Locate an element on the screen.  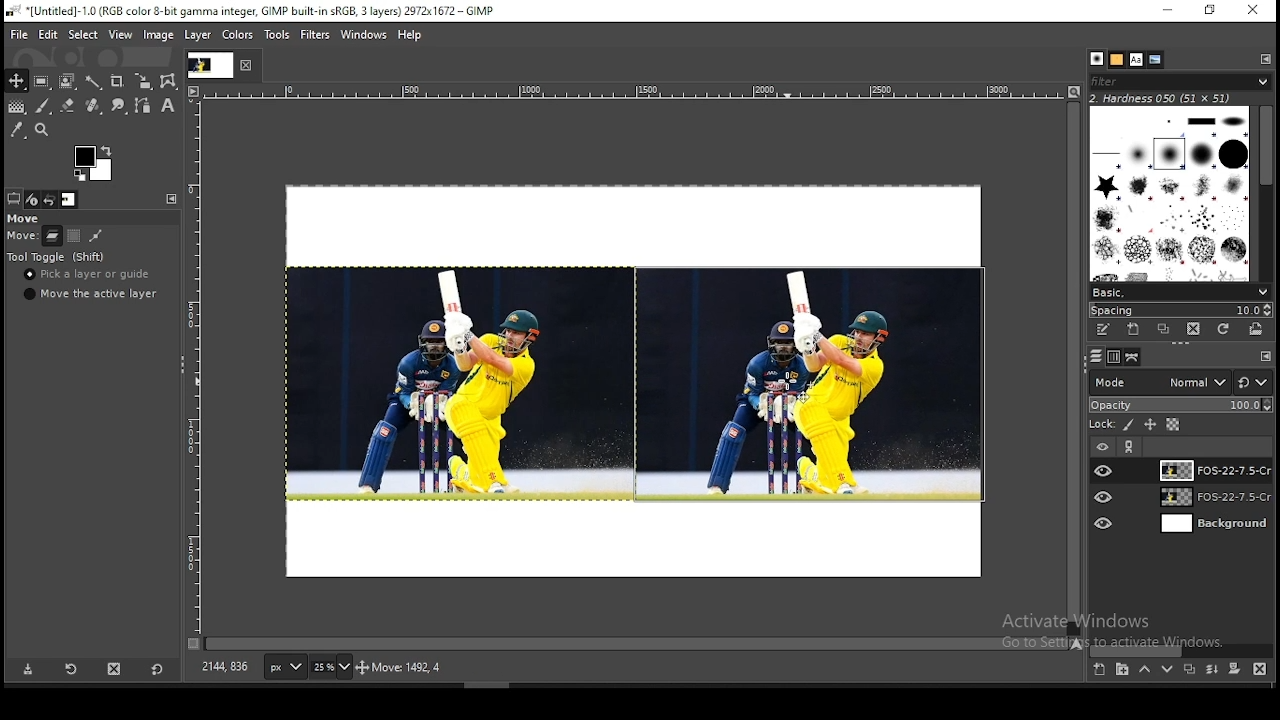
crop tool is located at coordinates (140, 82).